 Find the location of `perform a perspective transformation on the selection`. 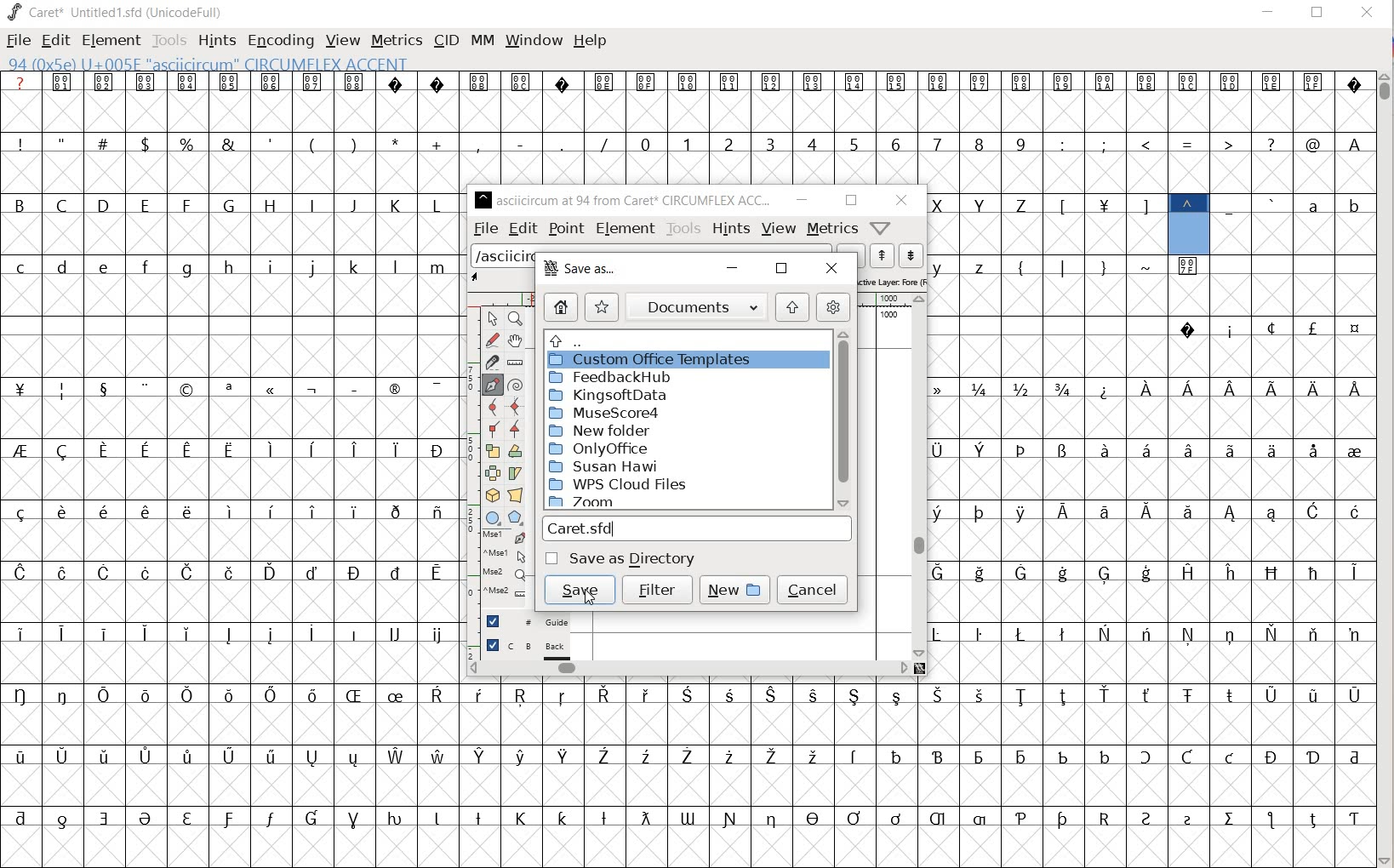

perform a perspective transformation on the selection is located at coordinates (517, 494).